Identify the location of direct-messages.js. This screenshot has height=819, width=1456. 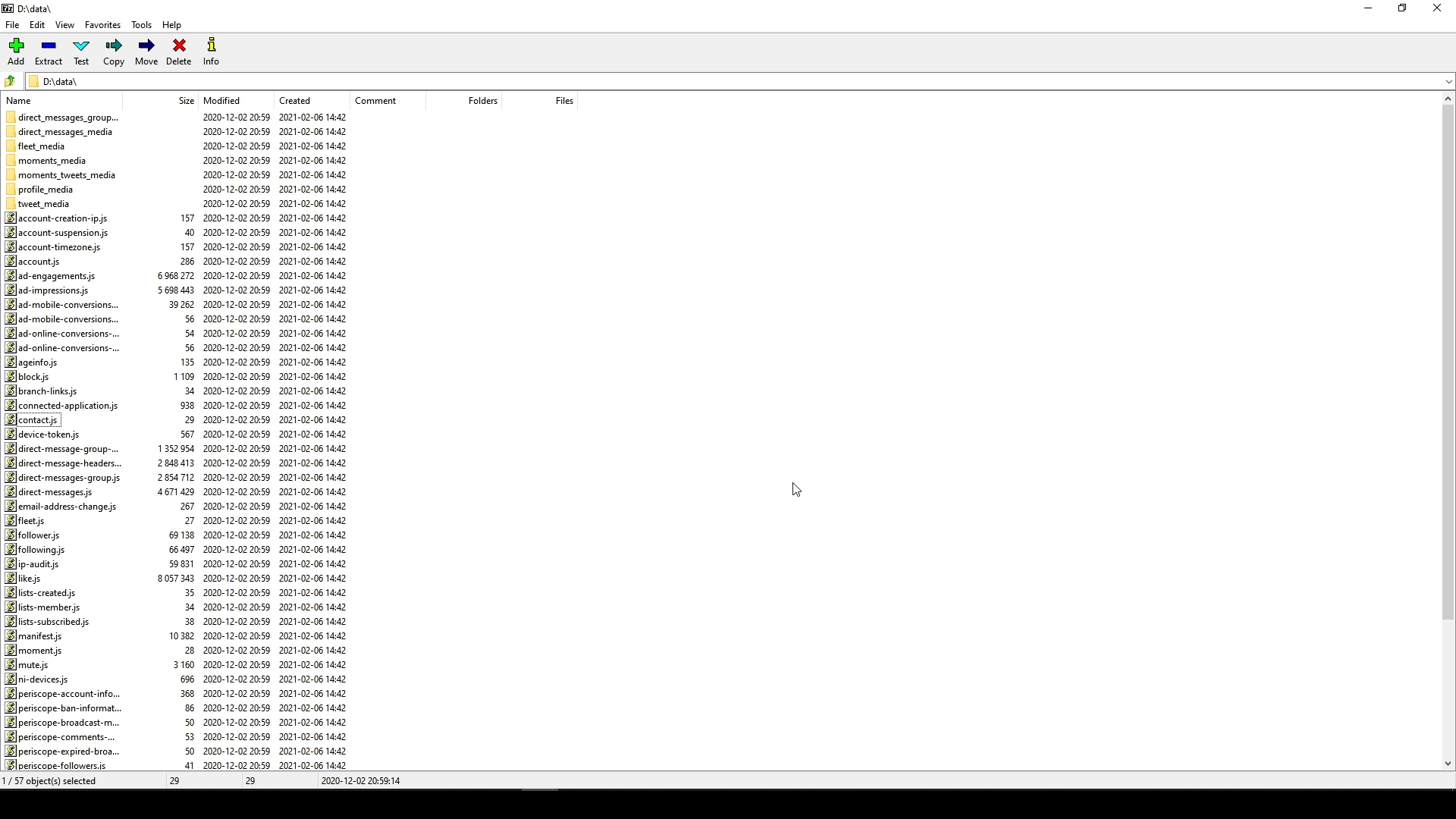
(52, 492).